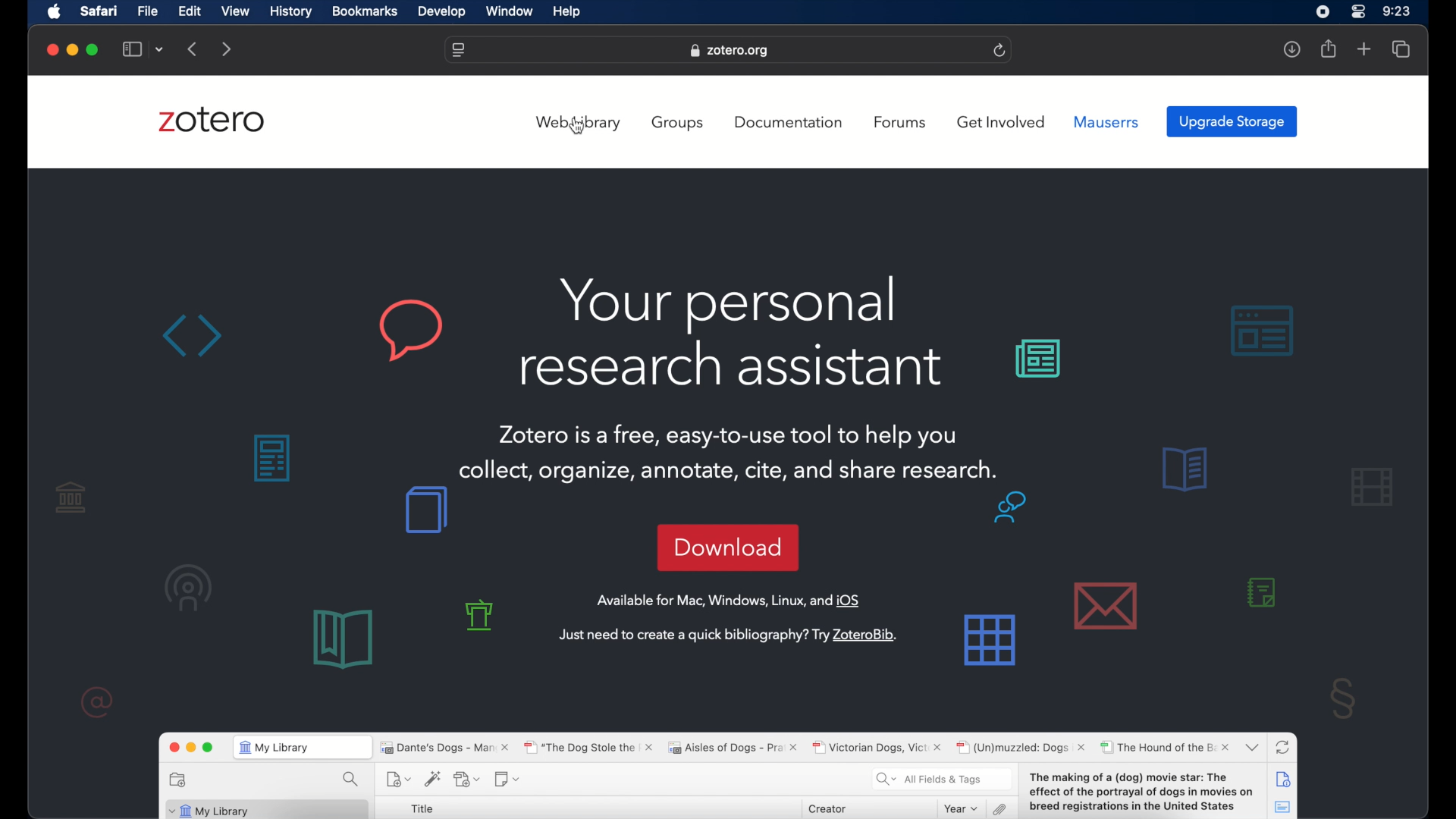 The image size is (1456, 819). What do you see at coordinates (227, 50) in the screenshot?
I see `next` at bounding box center [227, 50].